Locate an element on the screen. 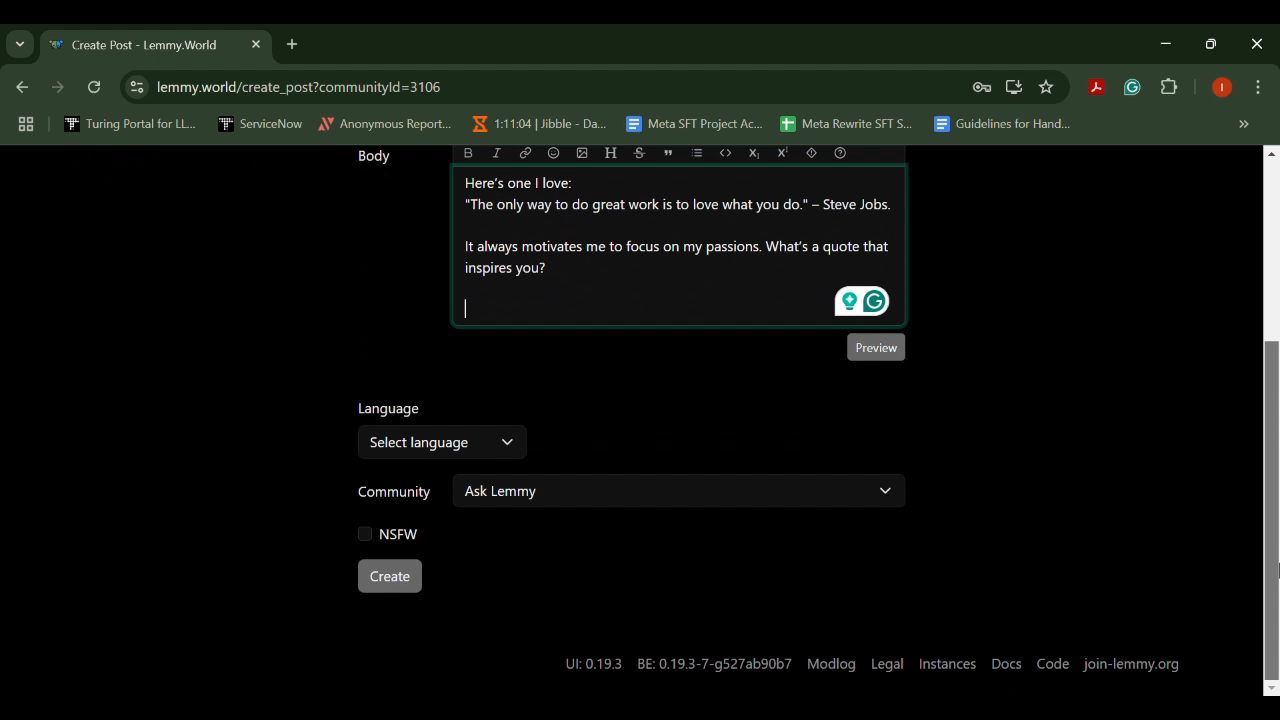 This screenshot has height=720, width=1280. Turing Portal for LL... is located at coordinates (130, 126).